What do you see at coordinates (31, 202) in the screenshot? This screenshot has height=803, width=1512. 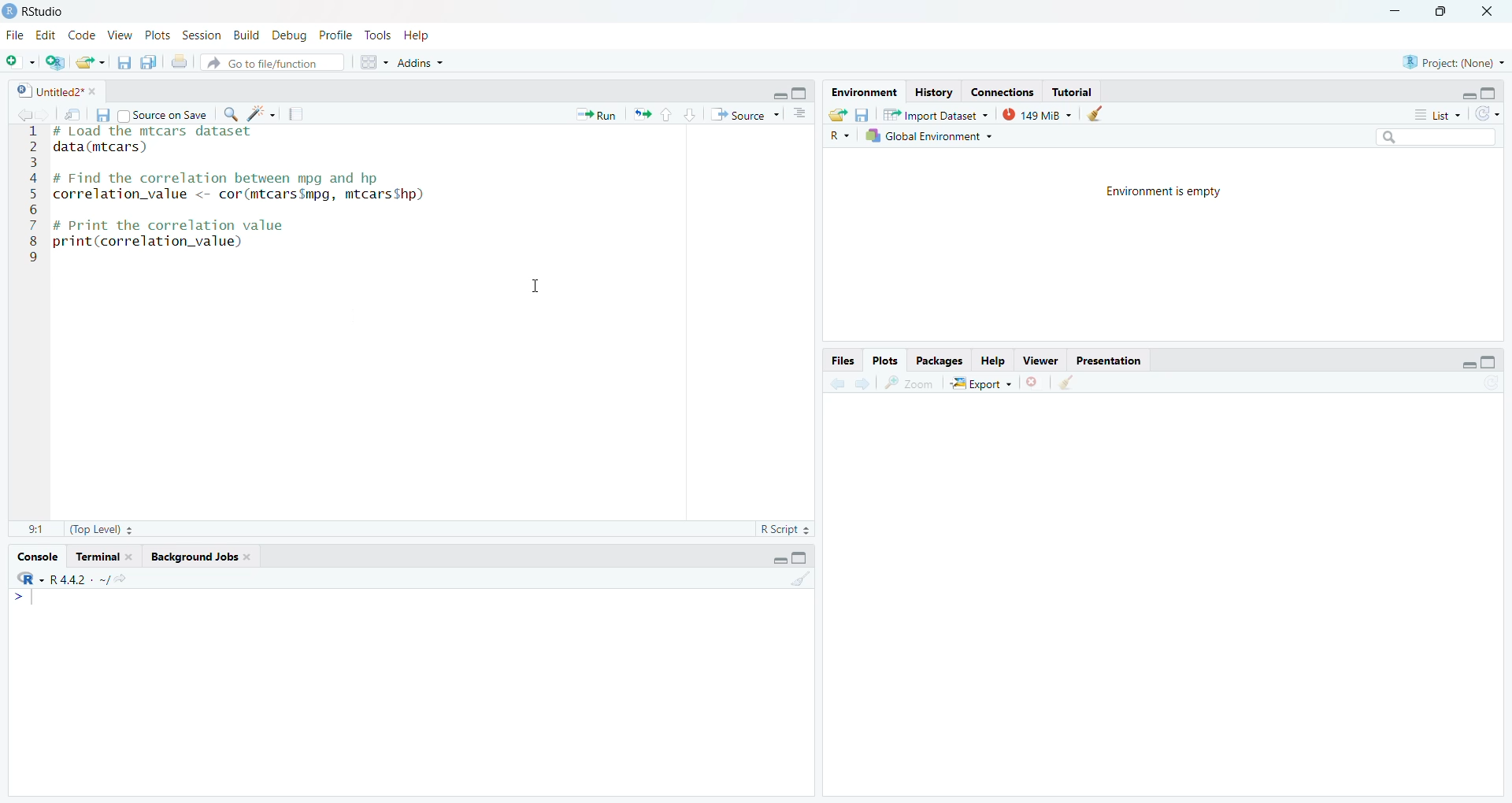 I see `123456789` at bounding box center [31, 202].